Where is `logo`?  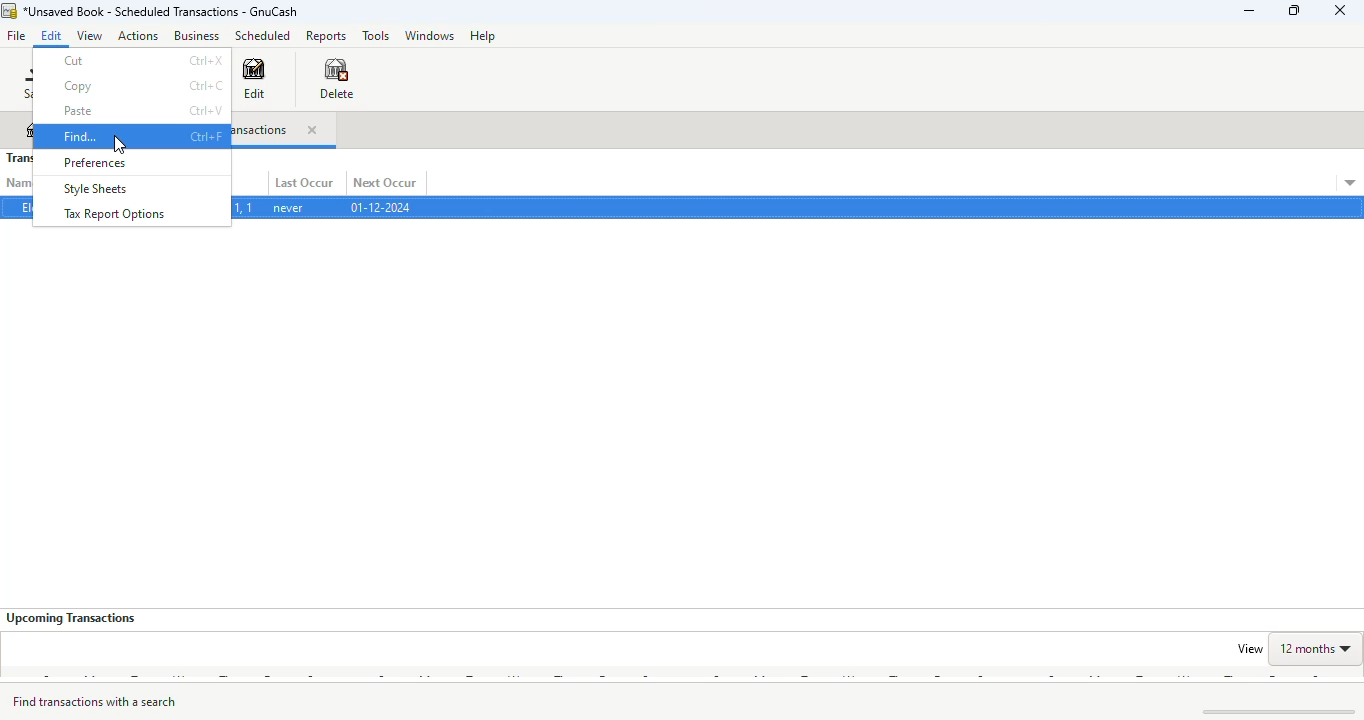
logo is located at coordinates (9, 11).